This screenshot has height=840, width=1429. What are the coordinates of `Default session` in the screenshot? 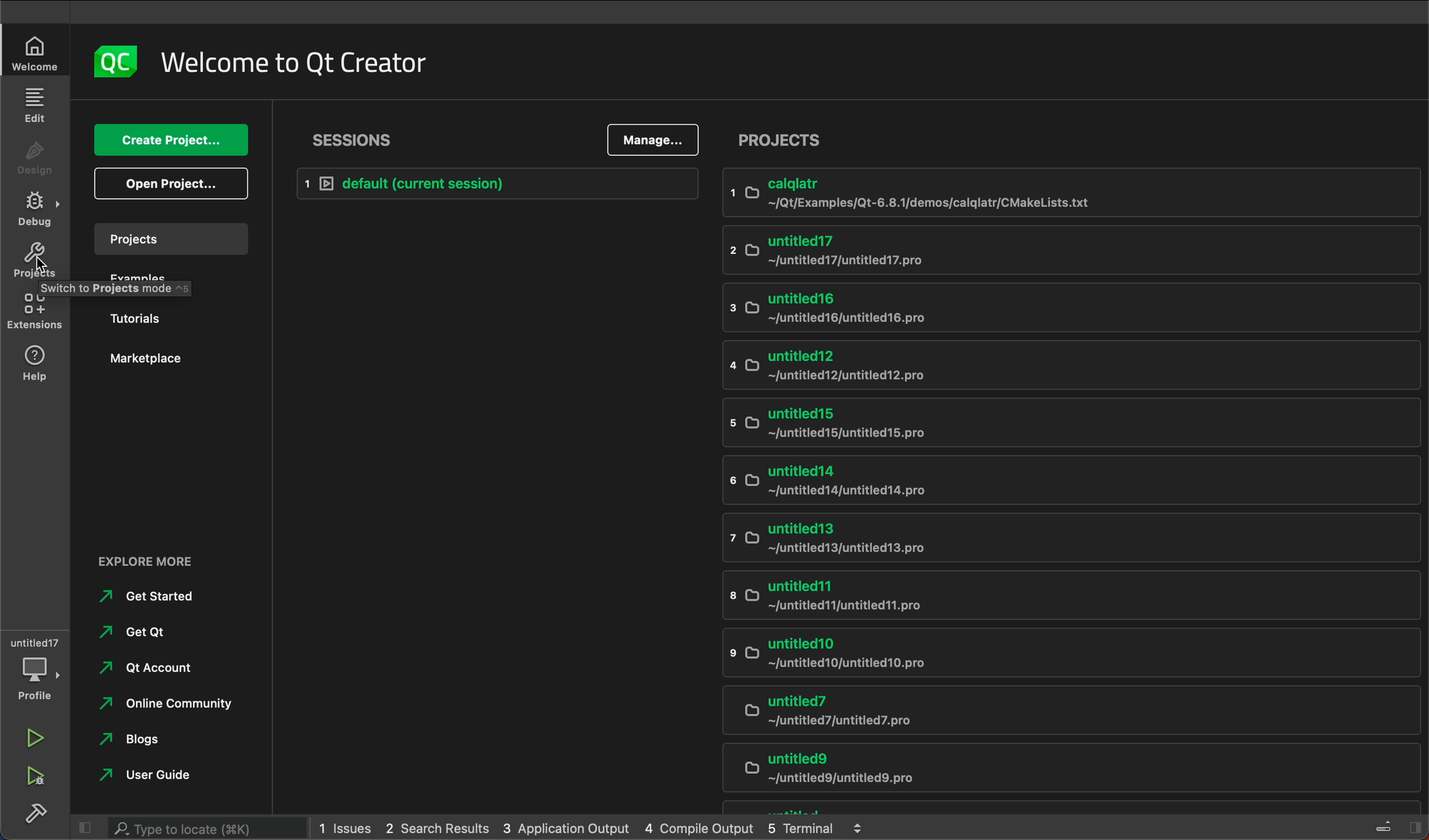 It's located at (498, 183).